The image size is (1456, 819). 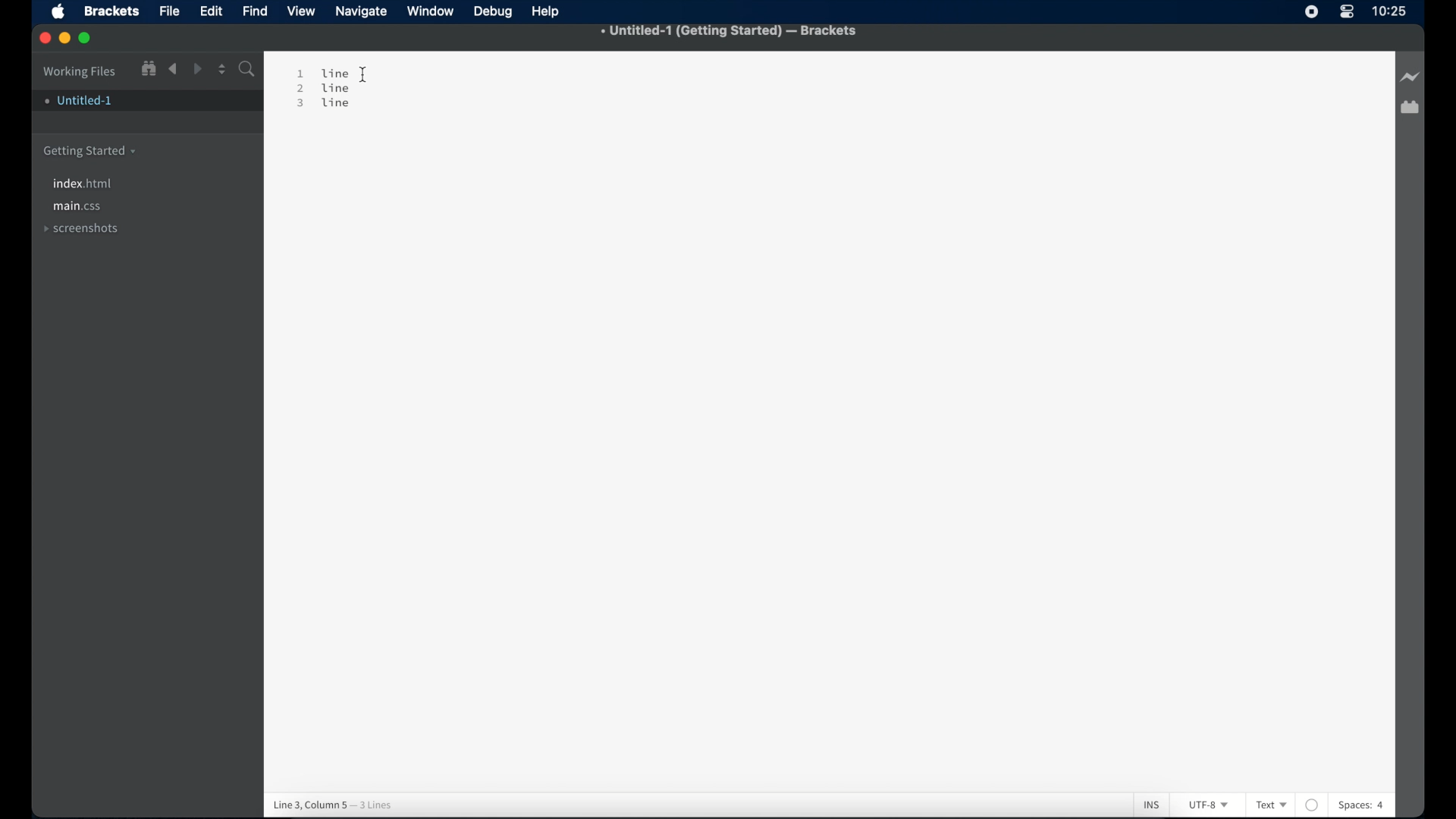 I want to click on split the editor vertically or horizontally, so click(x=222, y=70).